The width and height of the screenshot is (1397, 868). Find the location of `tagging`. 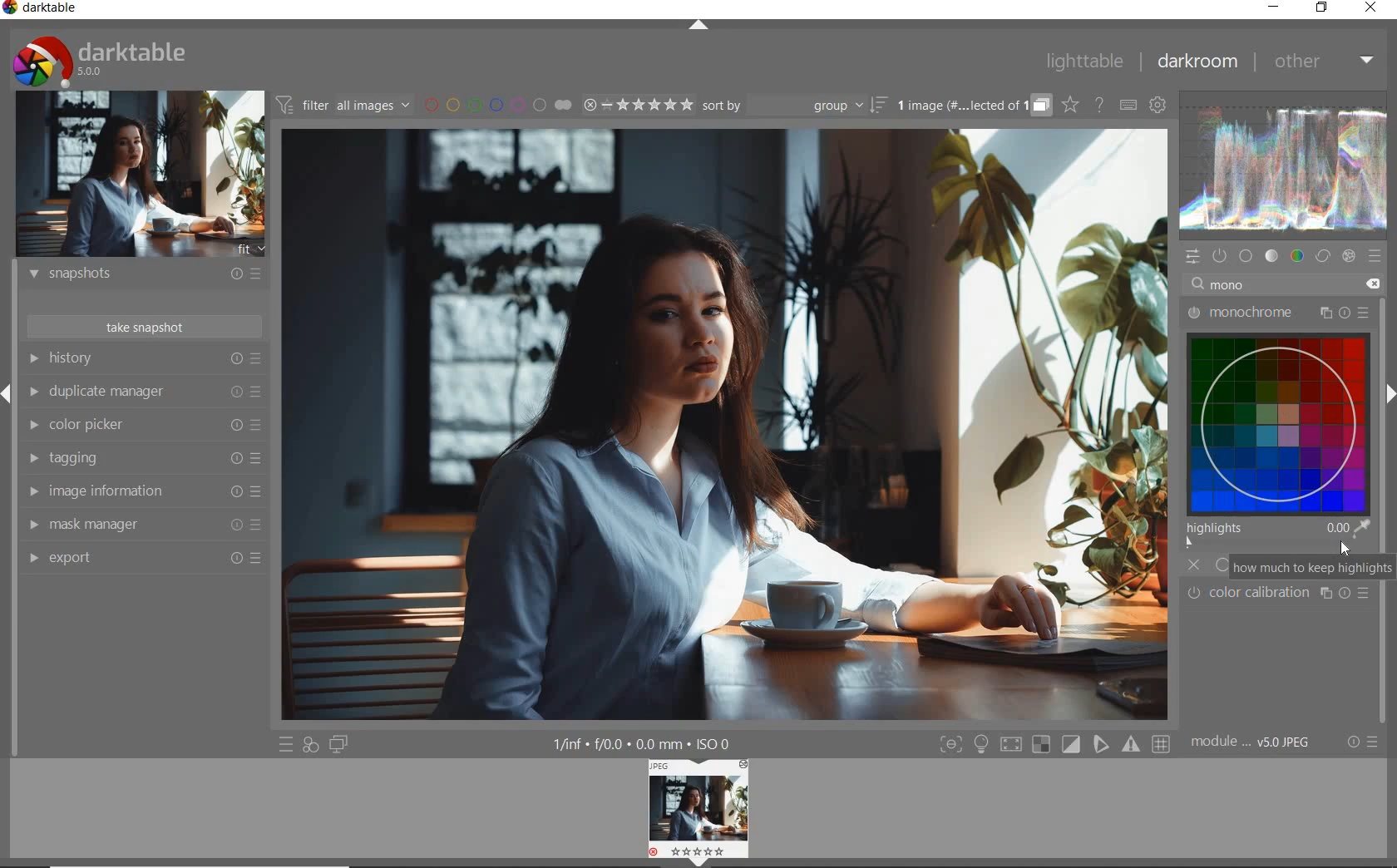

tagging is located at coordinates (141, 457).